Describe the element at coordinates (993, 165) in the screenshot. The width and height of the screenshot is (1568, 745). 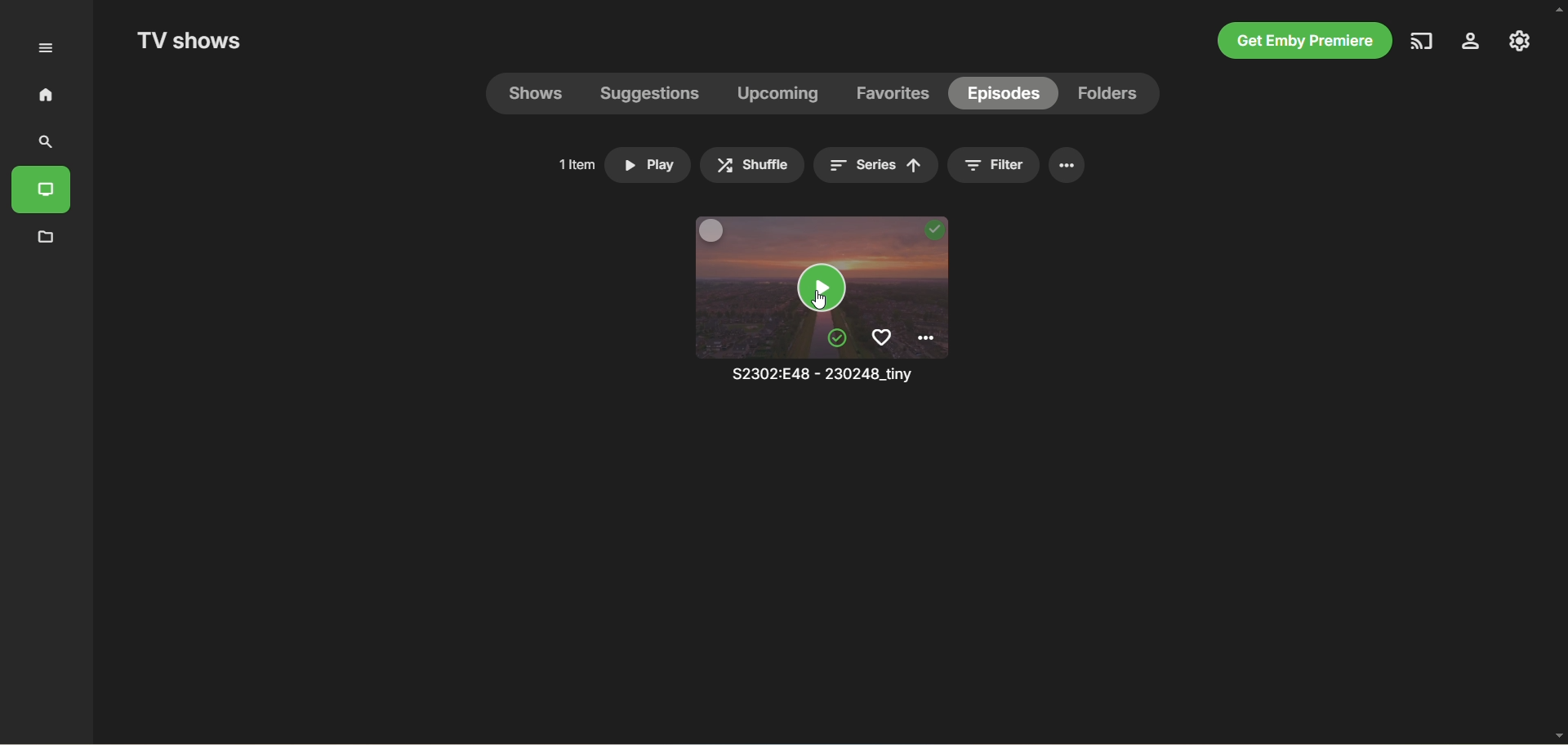
I see `filter` at that location.